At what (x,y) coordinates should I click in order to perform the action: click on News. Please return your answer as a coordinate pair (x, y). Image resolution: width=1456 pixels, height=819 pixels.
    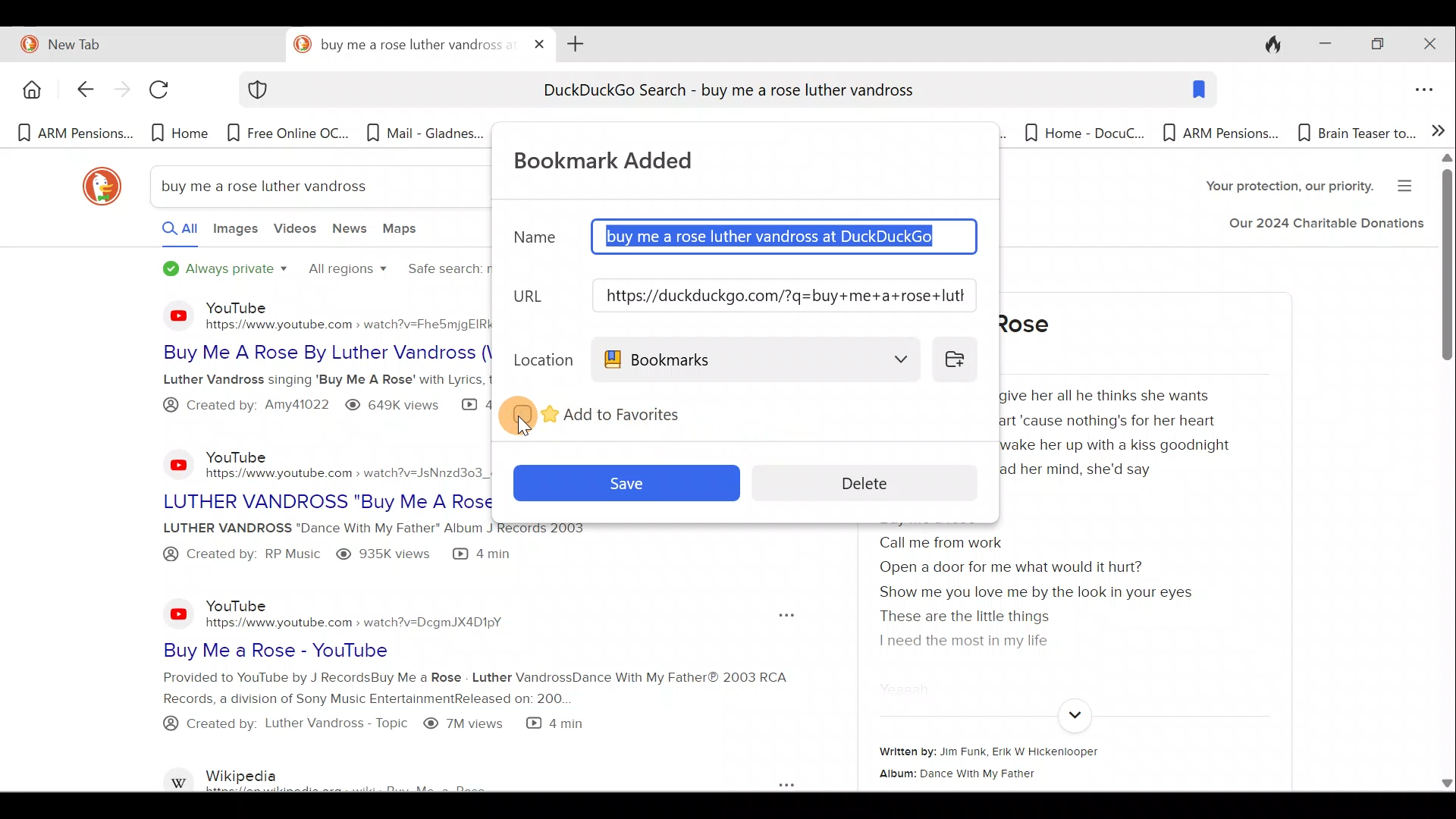
    Looking at the image, I should click on (351, 232).